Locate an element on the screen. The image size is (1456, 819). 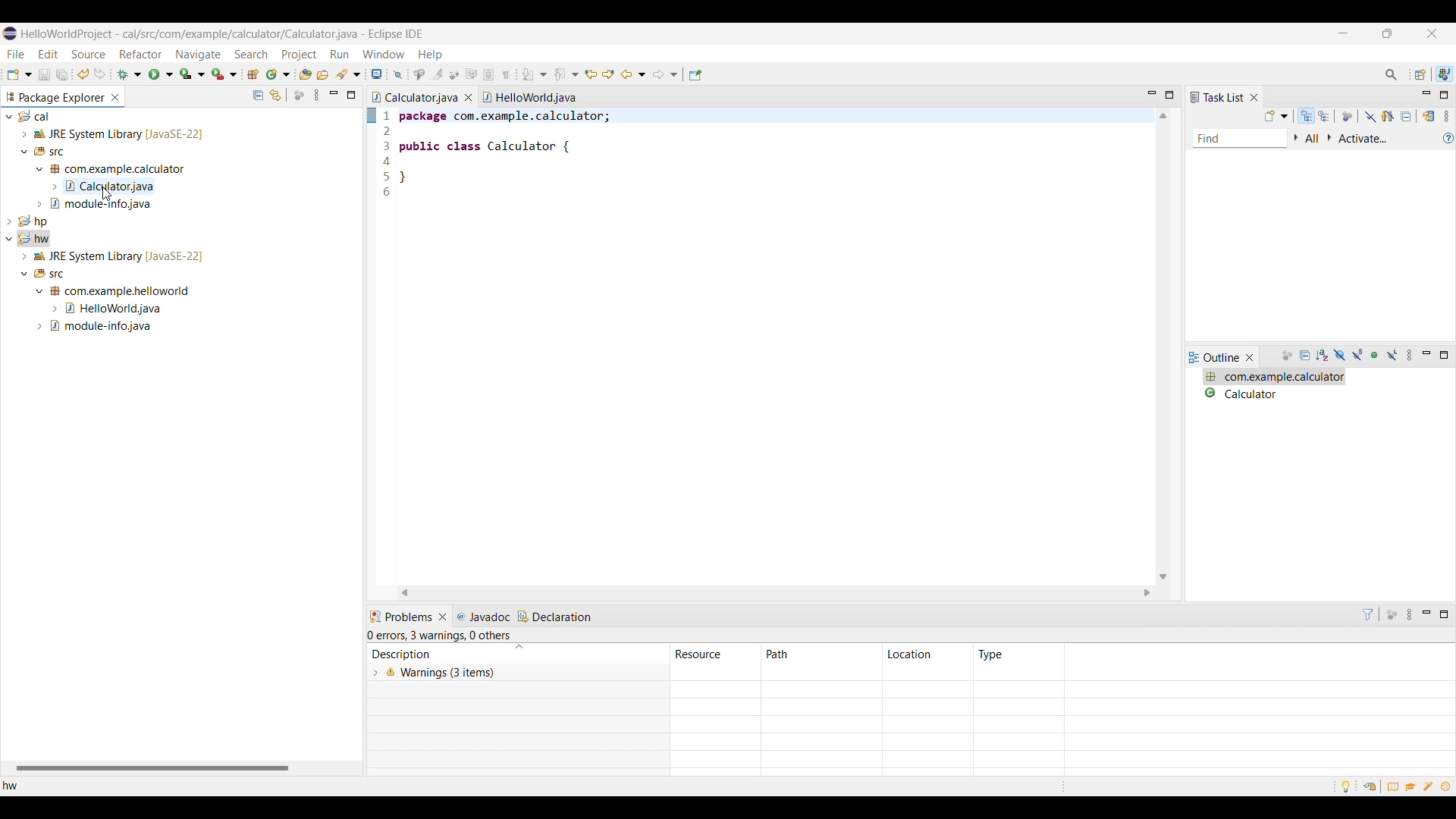
Redo is located at coordinates (84, 74).